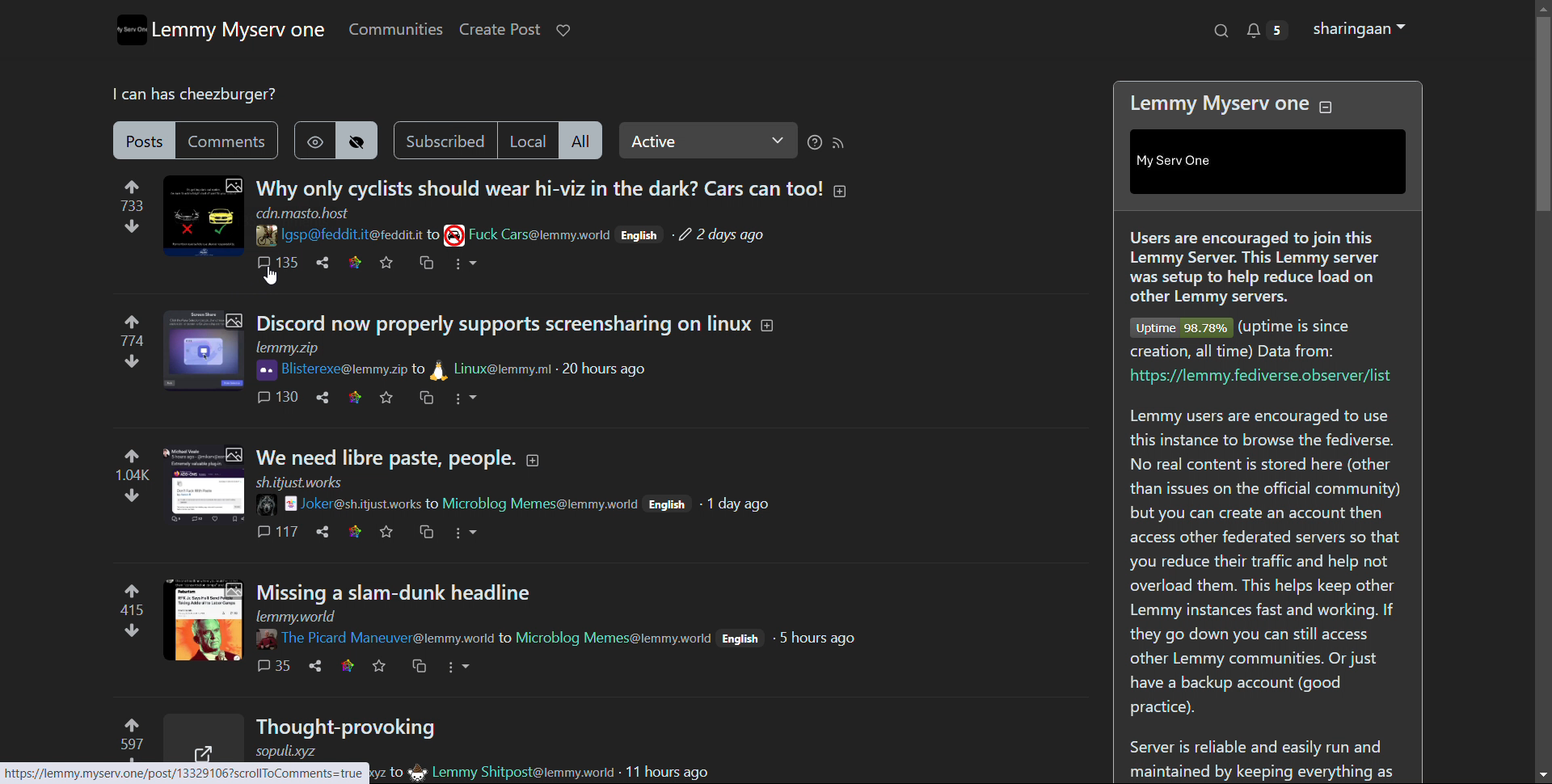  I want to click on We need libre paste, people.
sh.itjust works, so click(385, 467).